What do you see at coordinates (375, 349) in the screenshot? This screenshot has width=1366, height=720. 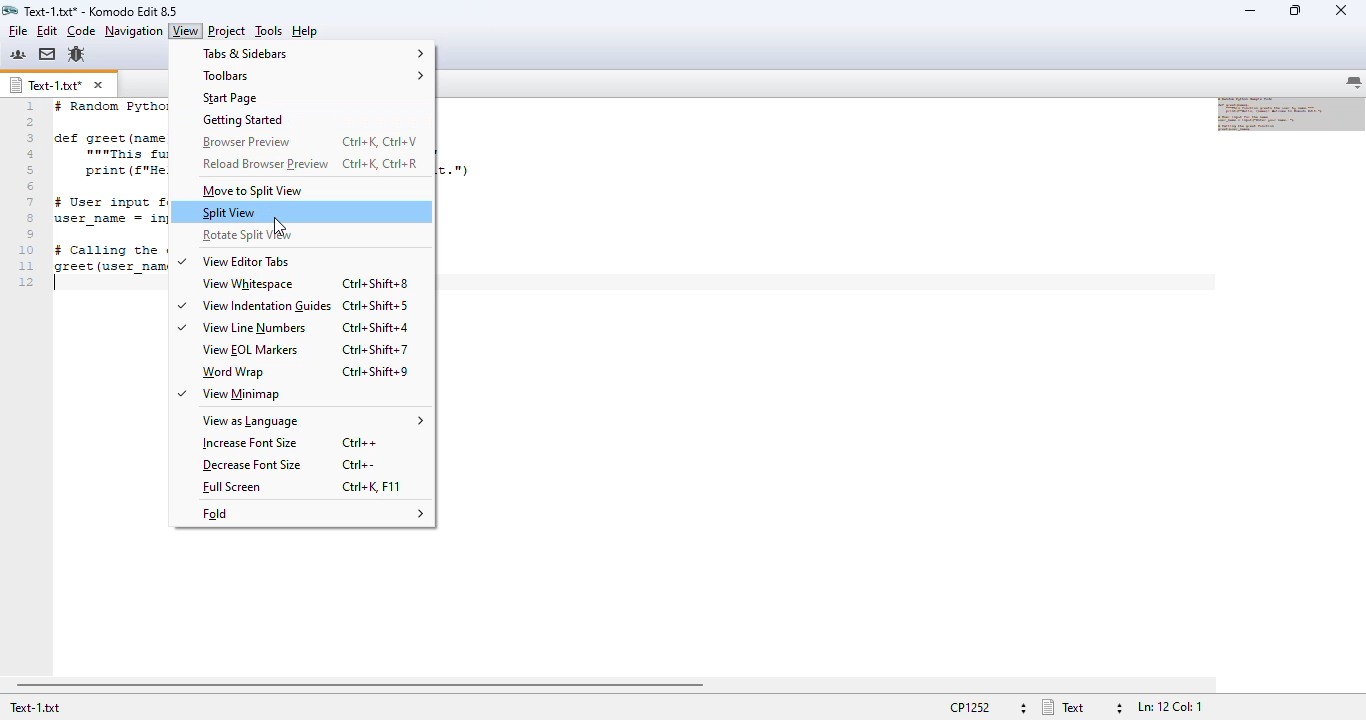 I see `shortcut for view EOL markers` at bounding box center [375, 349].